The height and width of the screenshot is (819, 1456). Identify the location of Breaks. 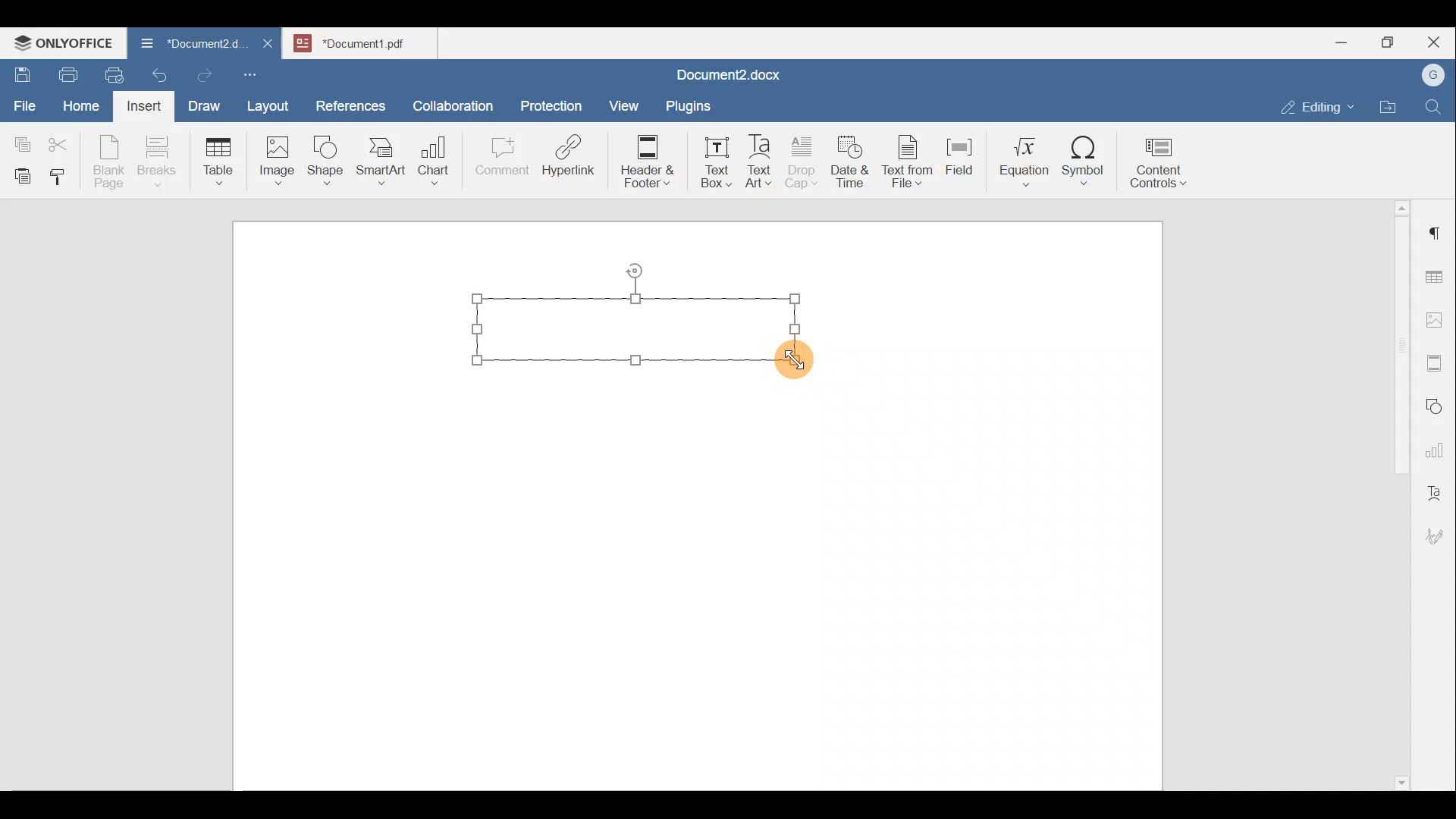
(156, 162).